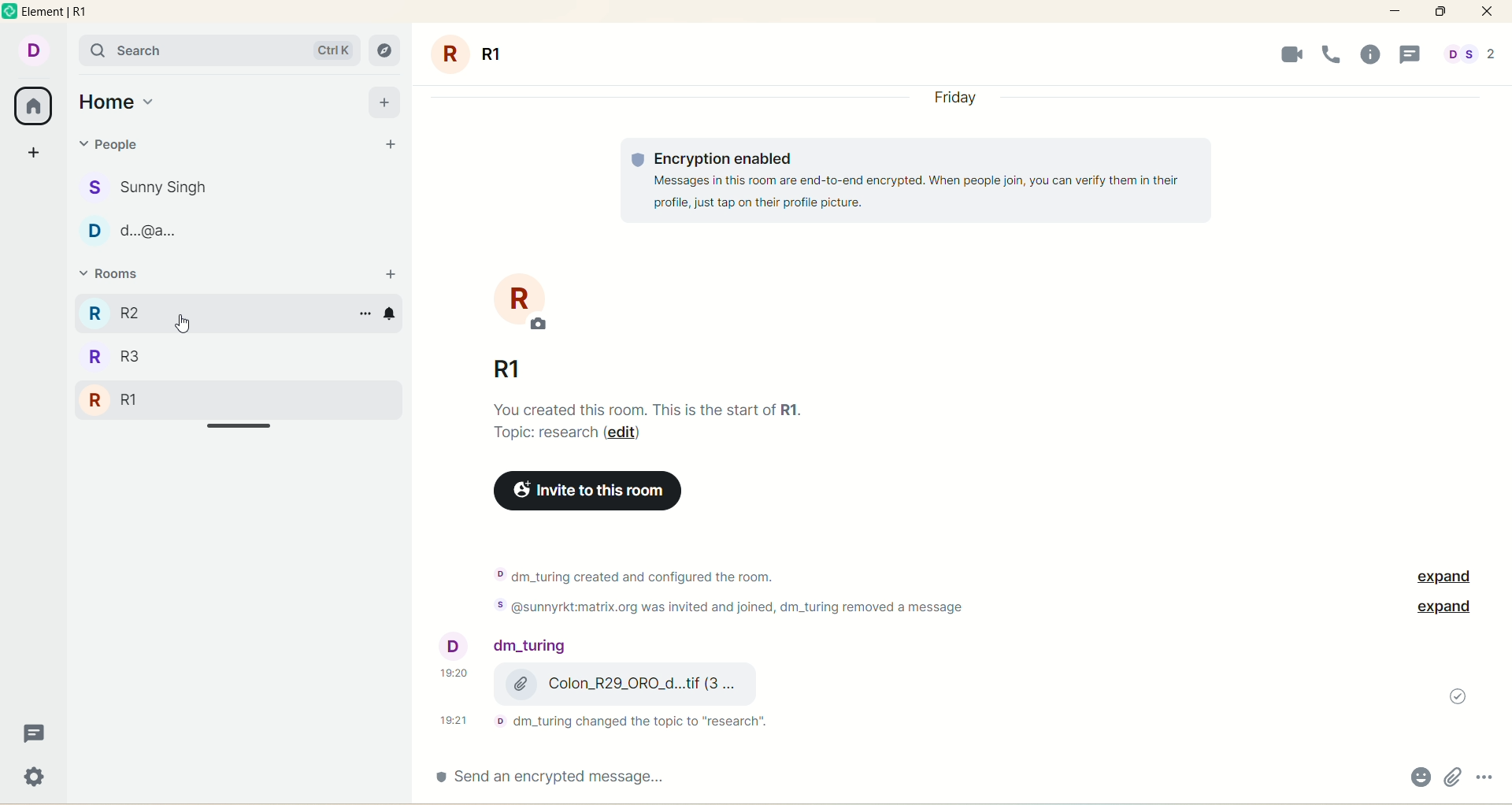  Describe the element at coordinates (1503, 421) in the screenshot. I see `vertical scroll bar` at that location.